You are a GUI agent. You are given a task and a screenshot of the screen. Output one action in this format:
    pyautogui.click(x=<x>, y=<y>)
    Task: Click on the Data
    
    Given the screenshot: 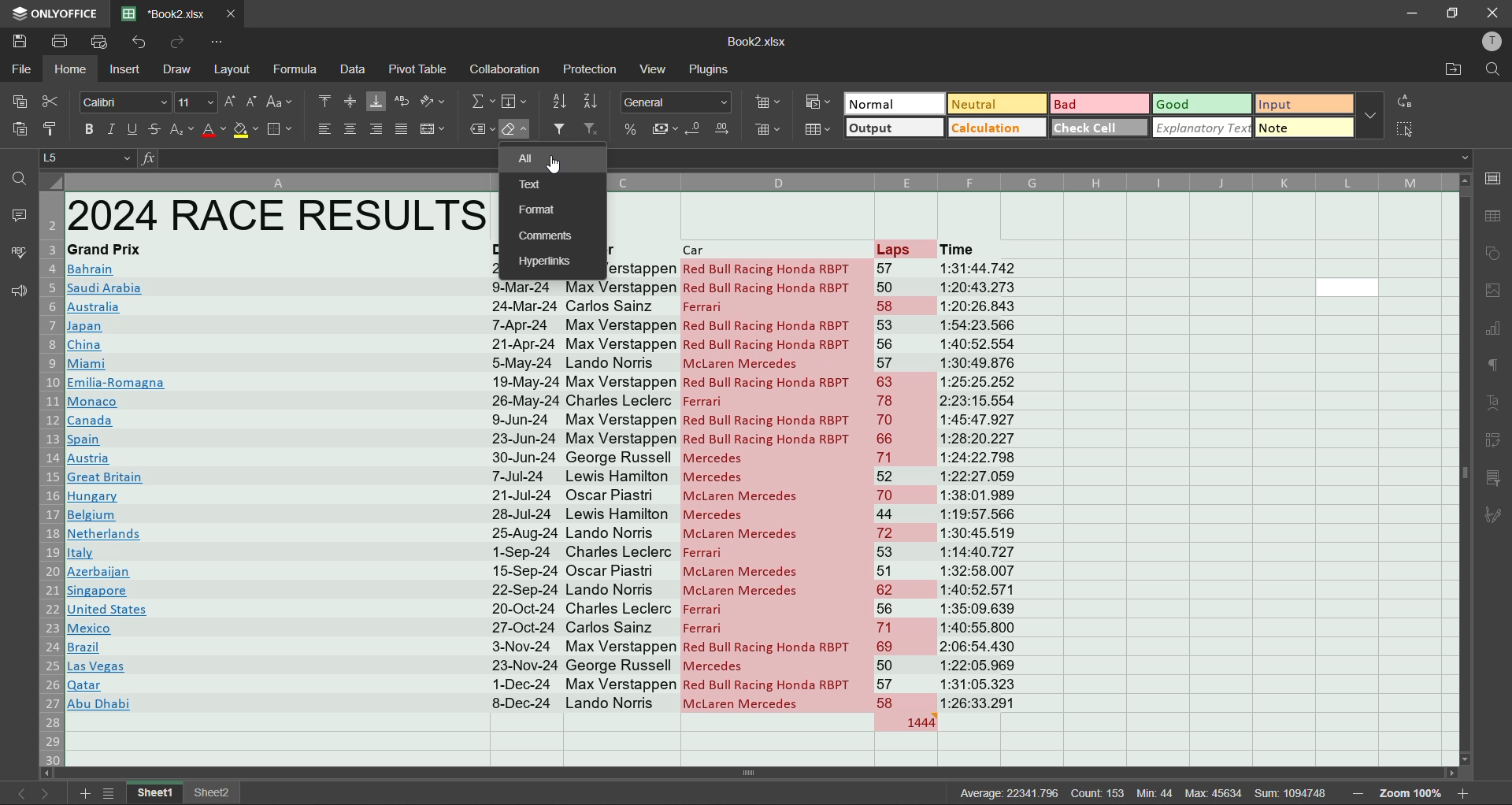 What is the action you would take?
    pyautogui.click(x=817, y=259)
    